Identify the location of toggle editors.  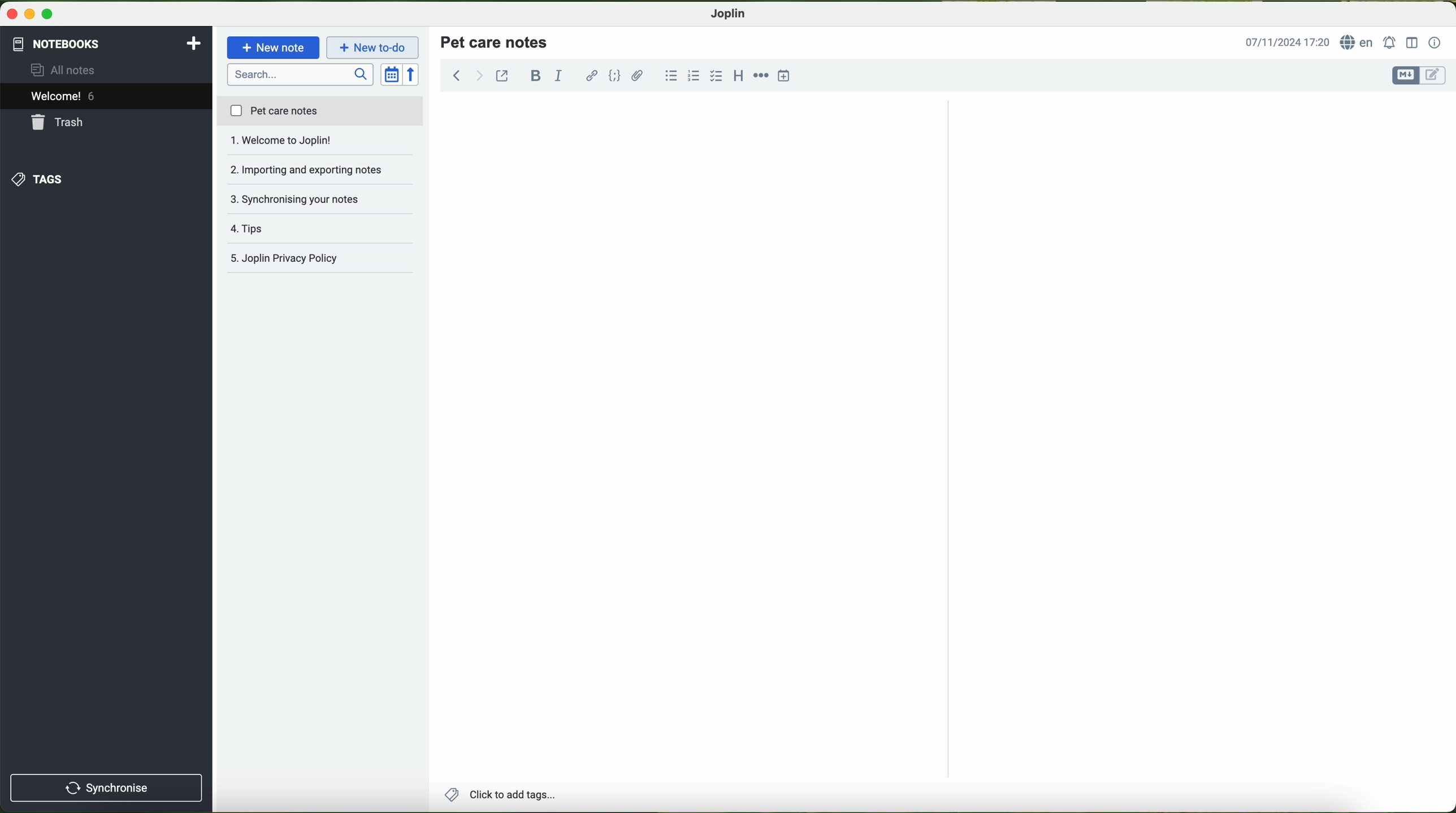
(1418, 76).